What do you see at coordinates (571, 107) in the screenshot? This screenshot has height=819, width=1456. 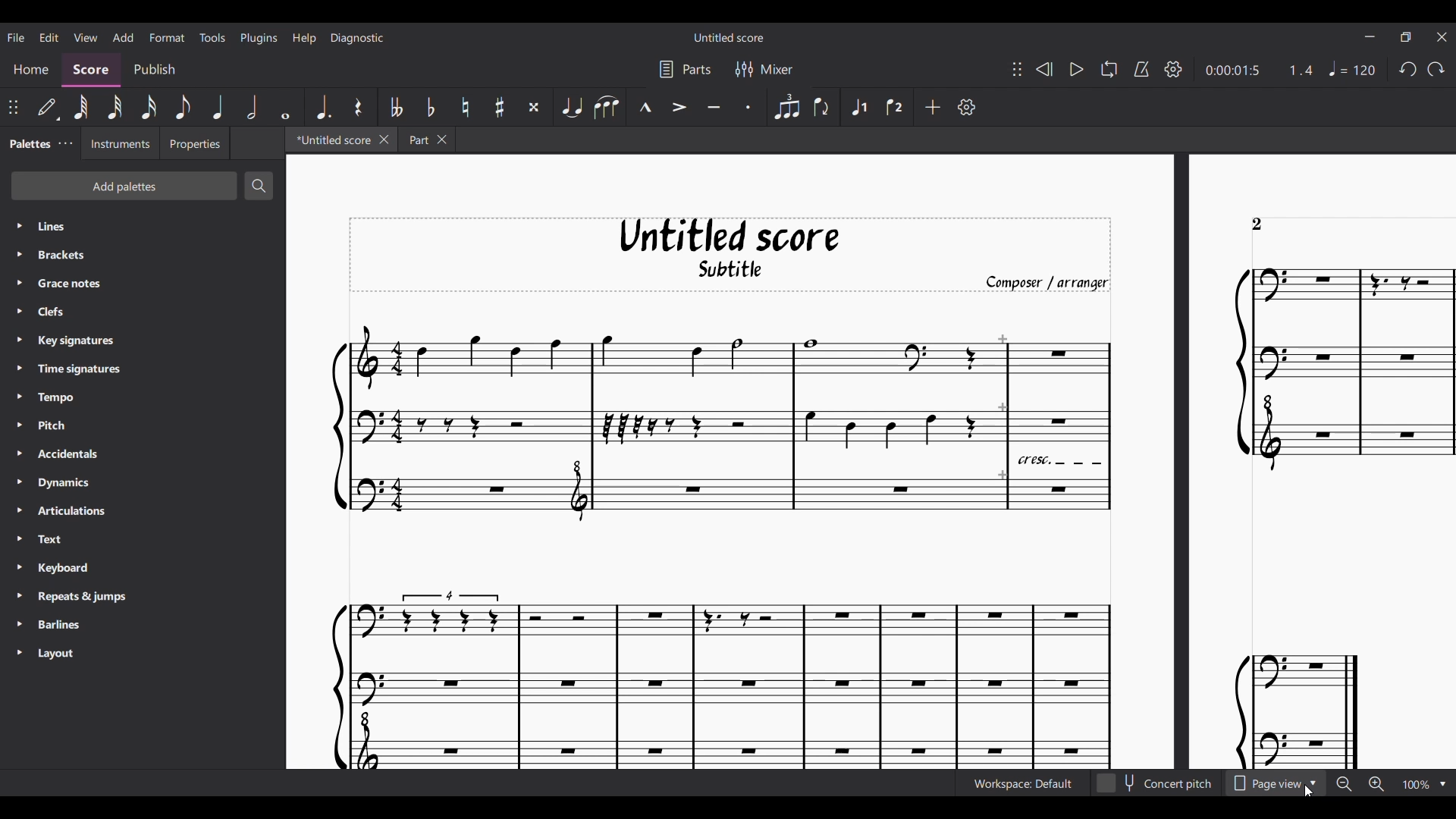 I see `Tie` at bounding box center [571, 107].